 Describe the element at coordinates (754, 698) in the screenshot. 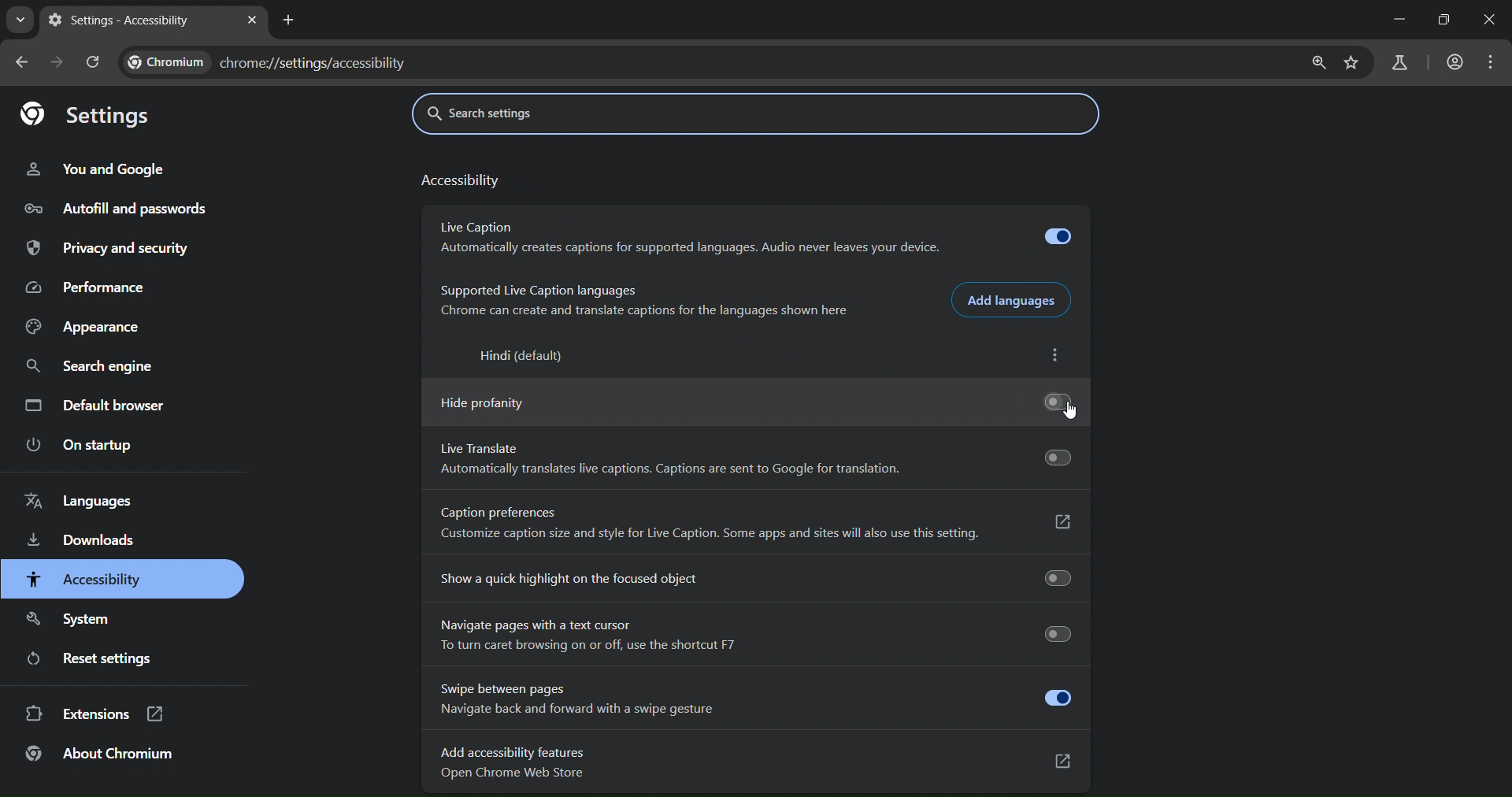

I see `Swipe between pages
Navigate back and forward with a swipe gesture` at that location.